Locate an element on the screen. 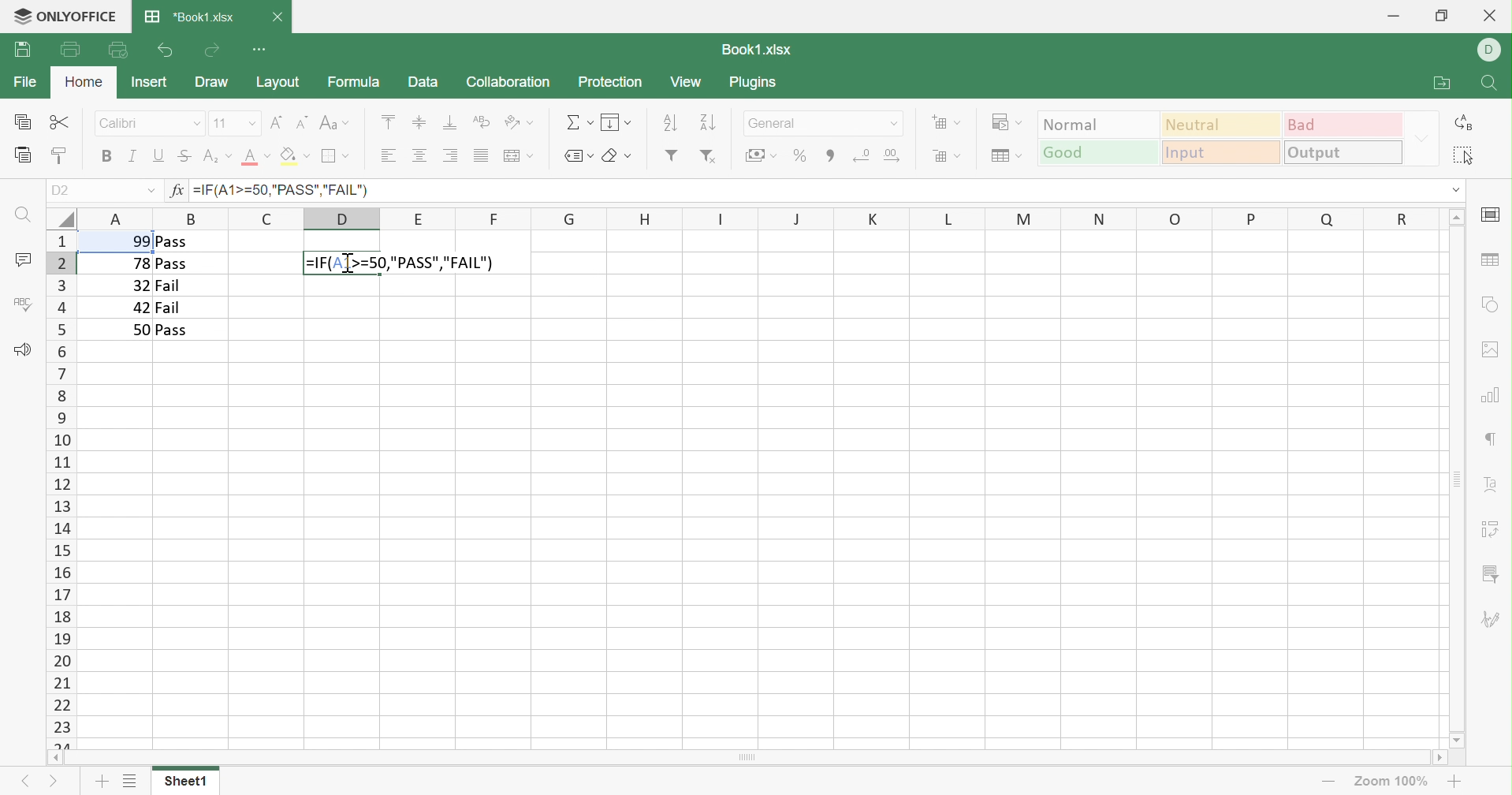 This screenshot has height=795, width=1512. Find is located at coordinates (1487, 85).